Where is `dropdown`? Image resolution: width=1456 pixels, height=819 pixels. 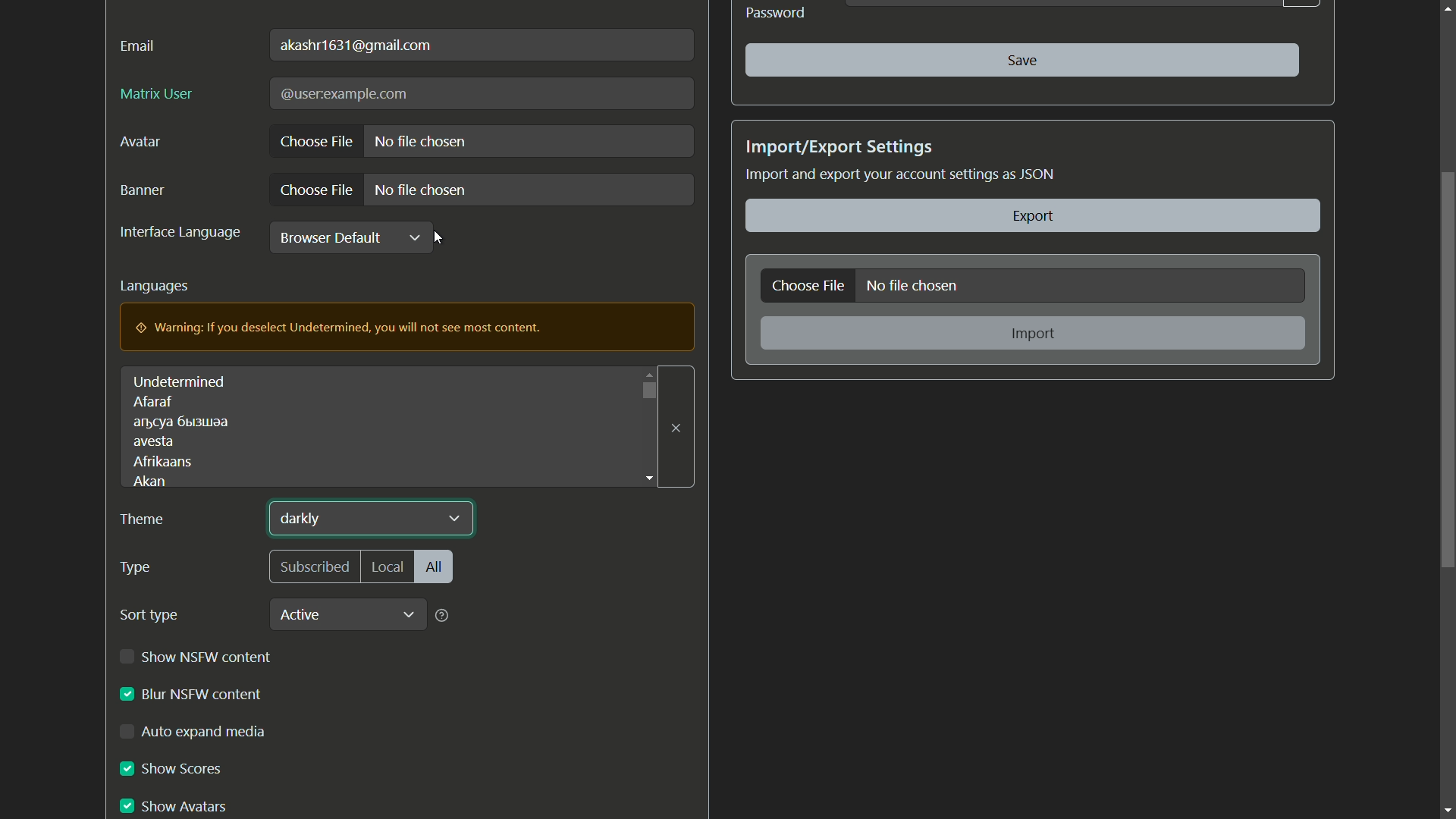
dropdown is located at coordinates (408, 616).